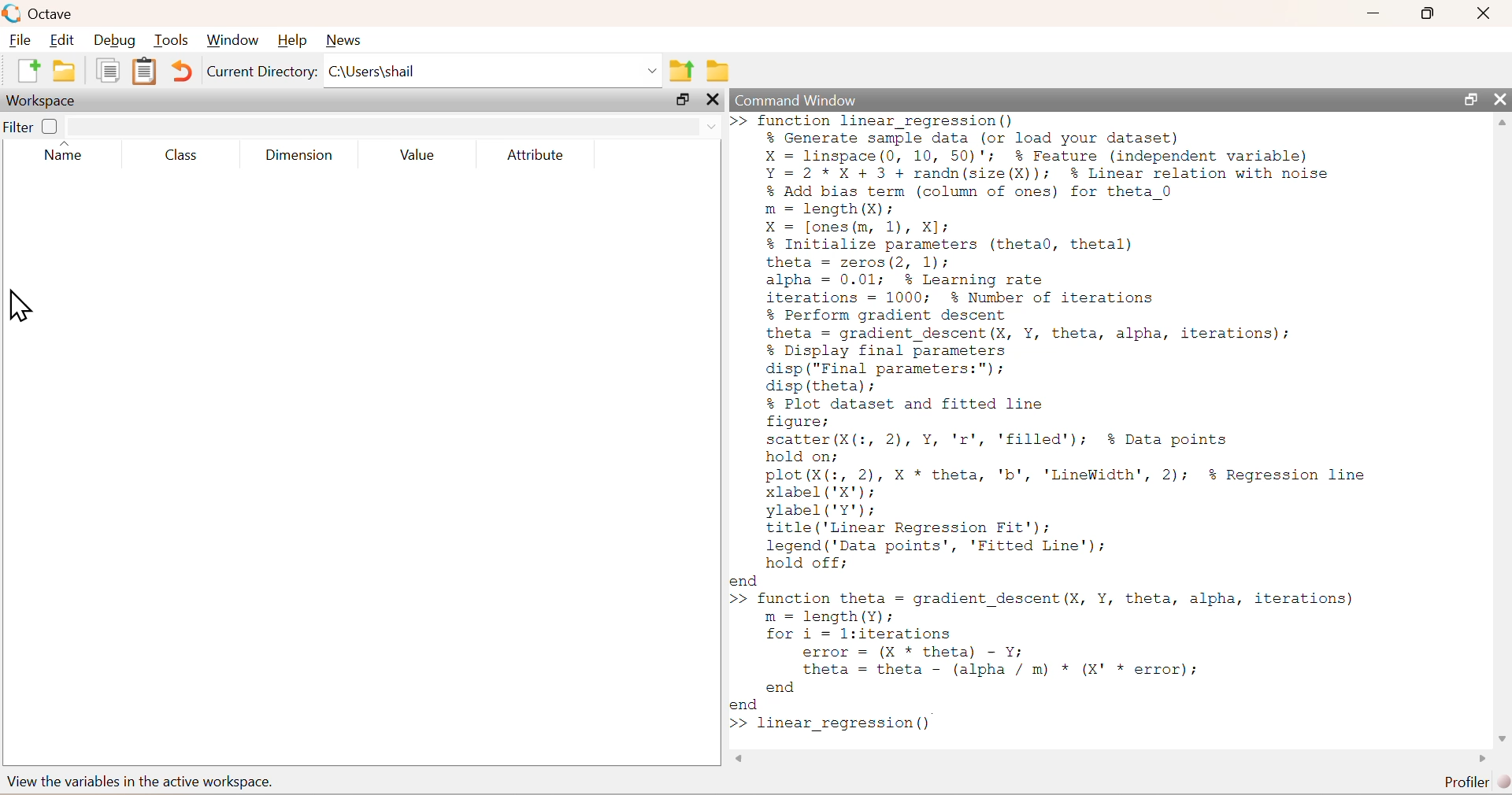  Describe the element at coordinates (52, 14) in the screenshot. I see `Octave` at that location.